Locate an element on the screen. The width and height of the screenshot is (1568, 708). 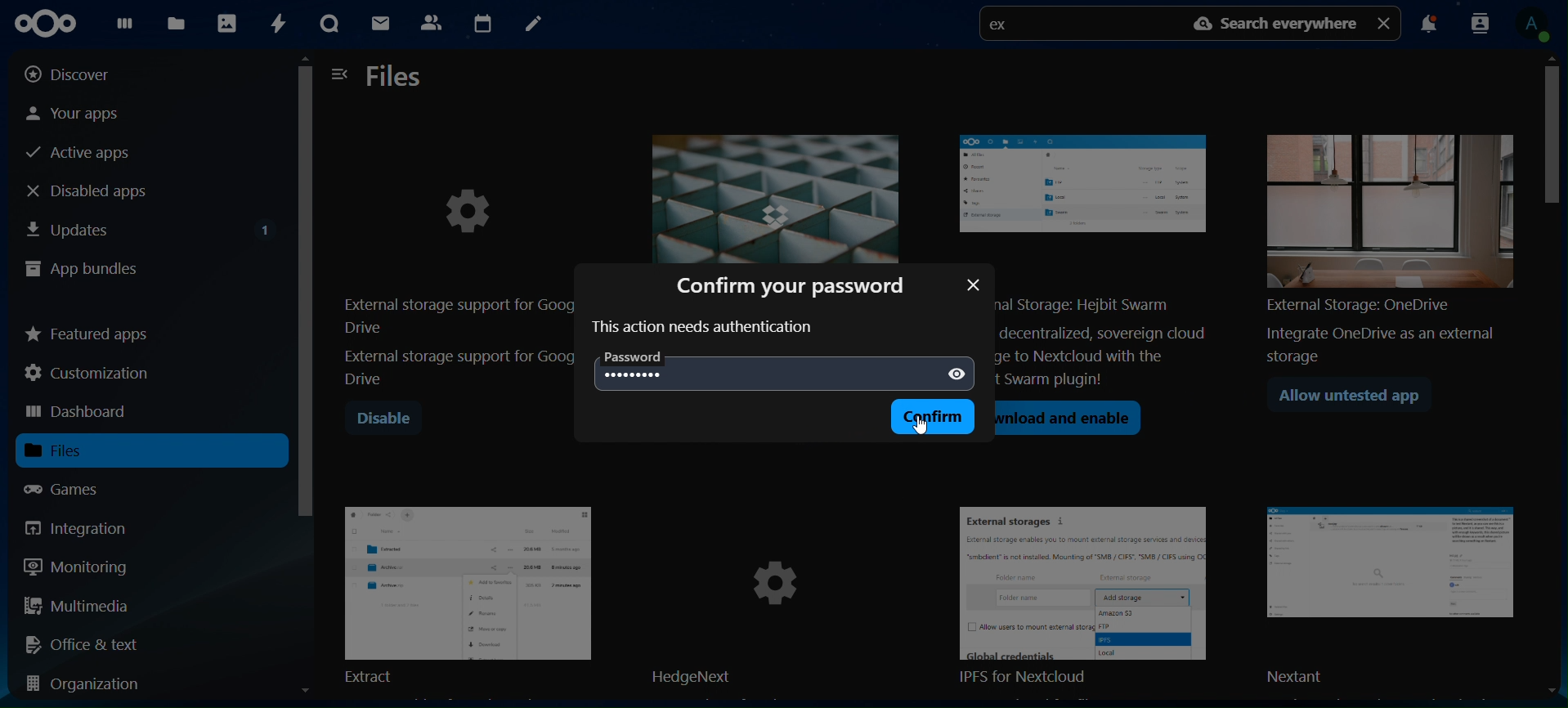
talk is located at coordinates (329, 24).